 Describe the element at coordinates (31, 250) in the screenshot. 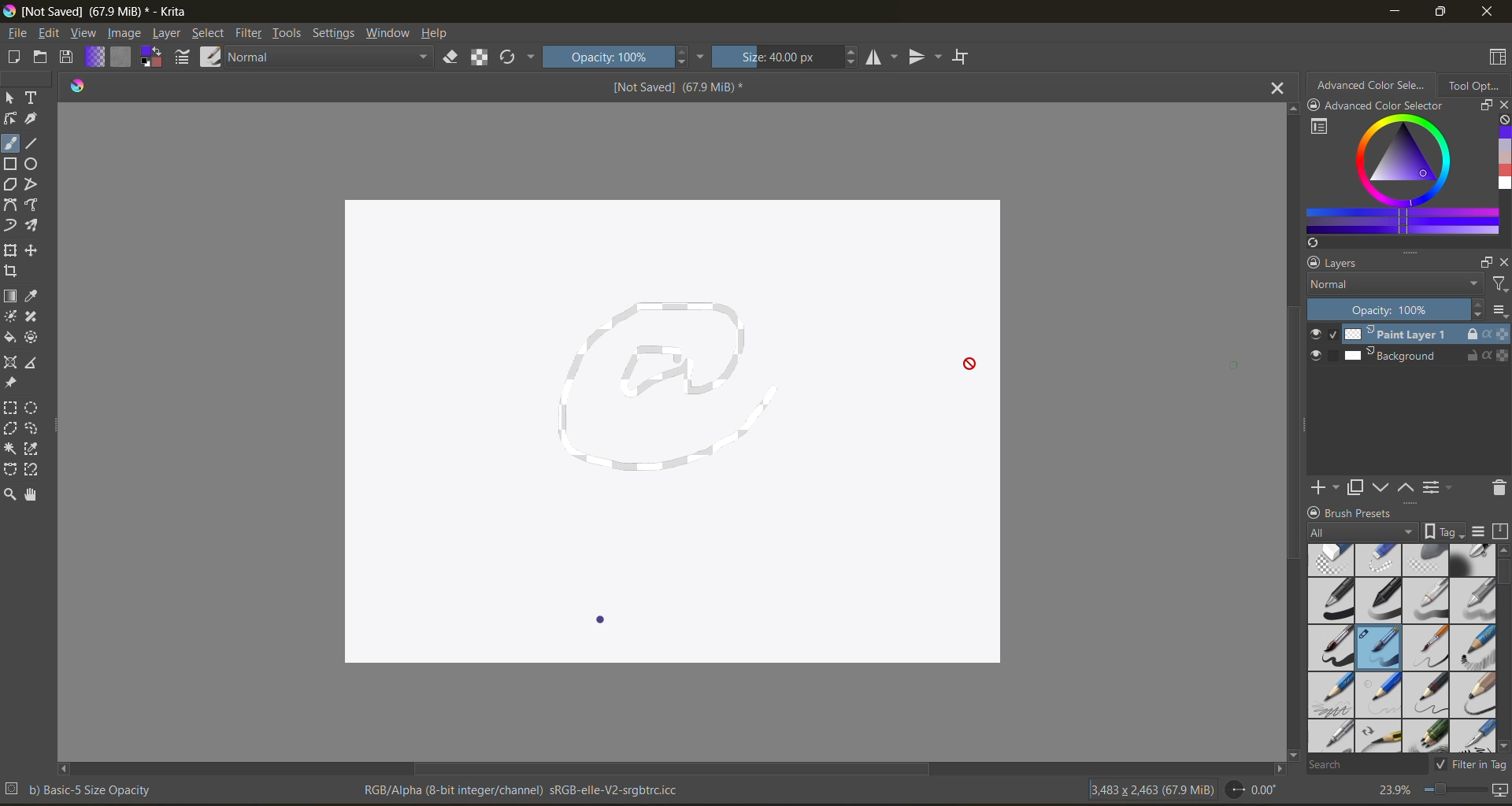

I see `move a layer` at that location.